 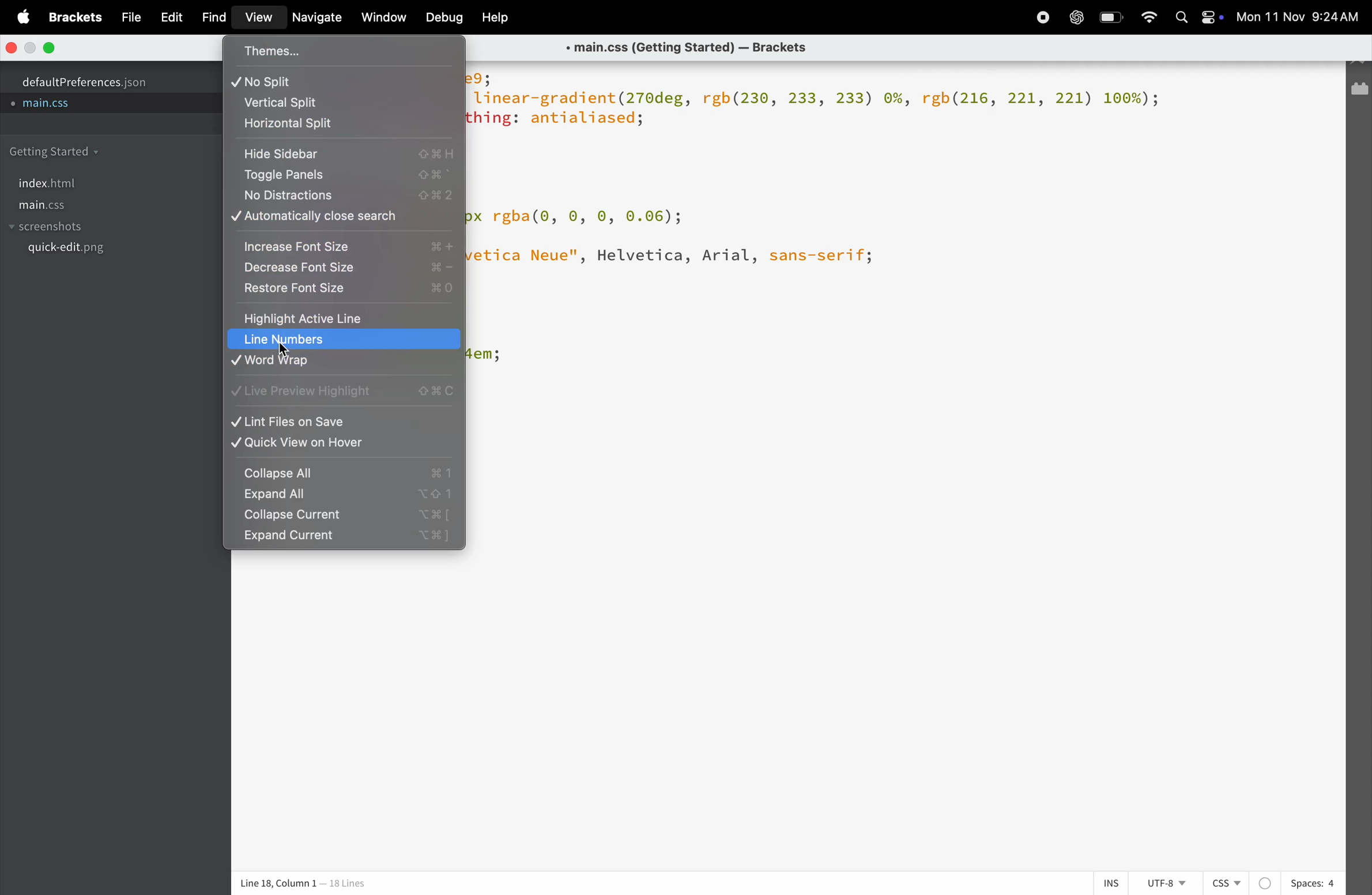 What do you see at coordinates (51, 228) in the screenshot?
I see `screenshots` at bounding box center [51, 228].